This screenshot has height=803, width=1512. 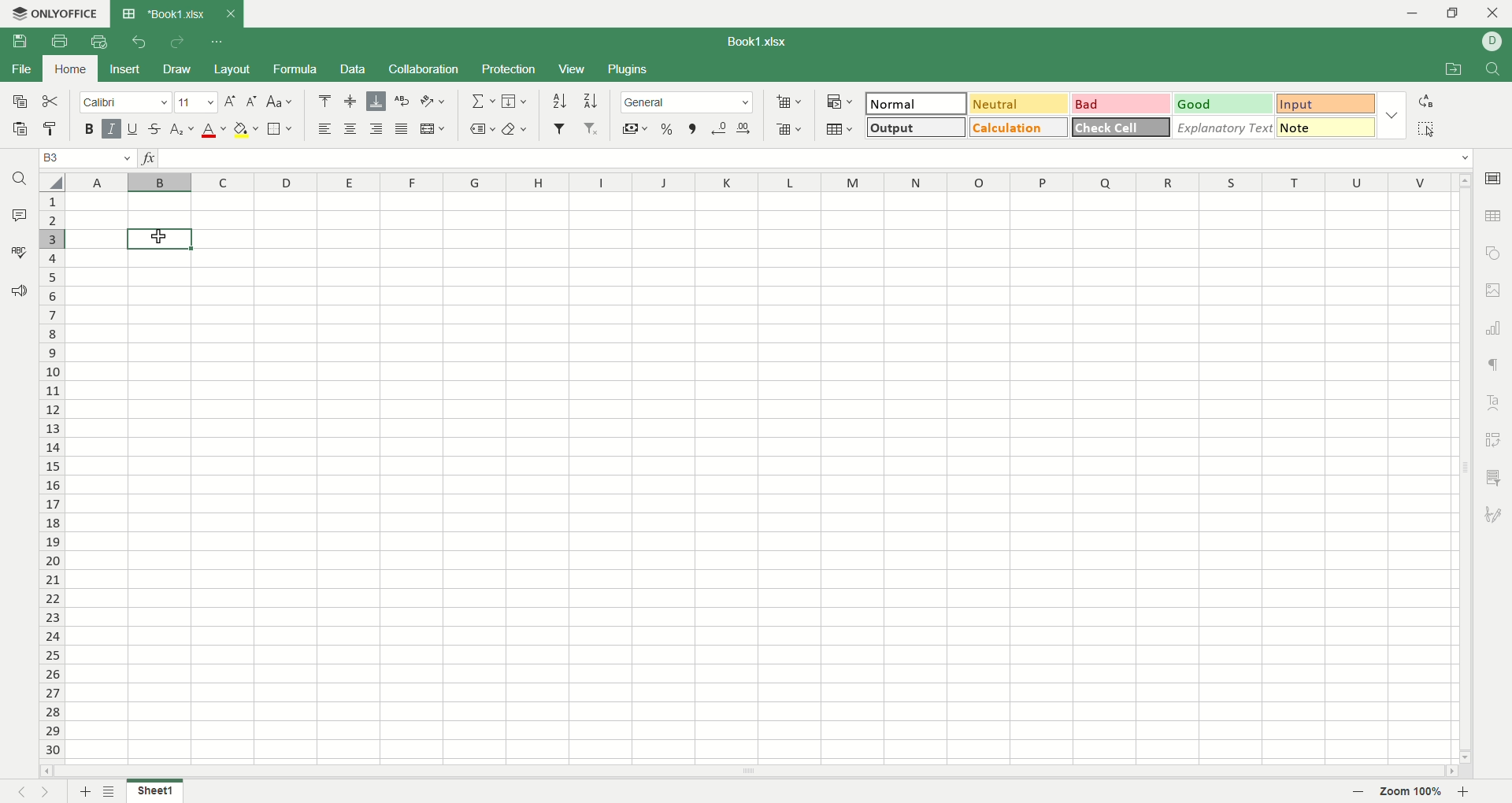 I want to click on merge center, so click(x=432, y=128).